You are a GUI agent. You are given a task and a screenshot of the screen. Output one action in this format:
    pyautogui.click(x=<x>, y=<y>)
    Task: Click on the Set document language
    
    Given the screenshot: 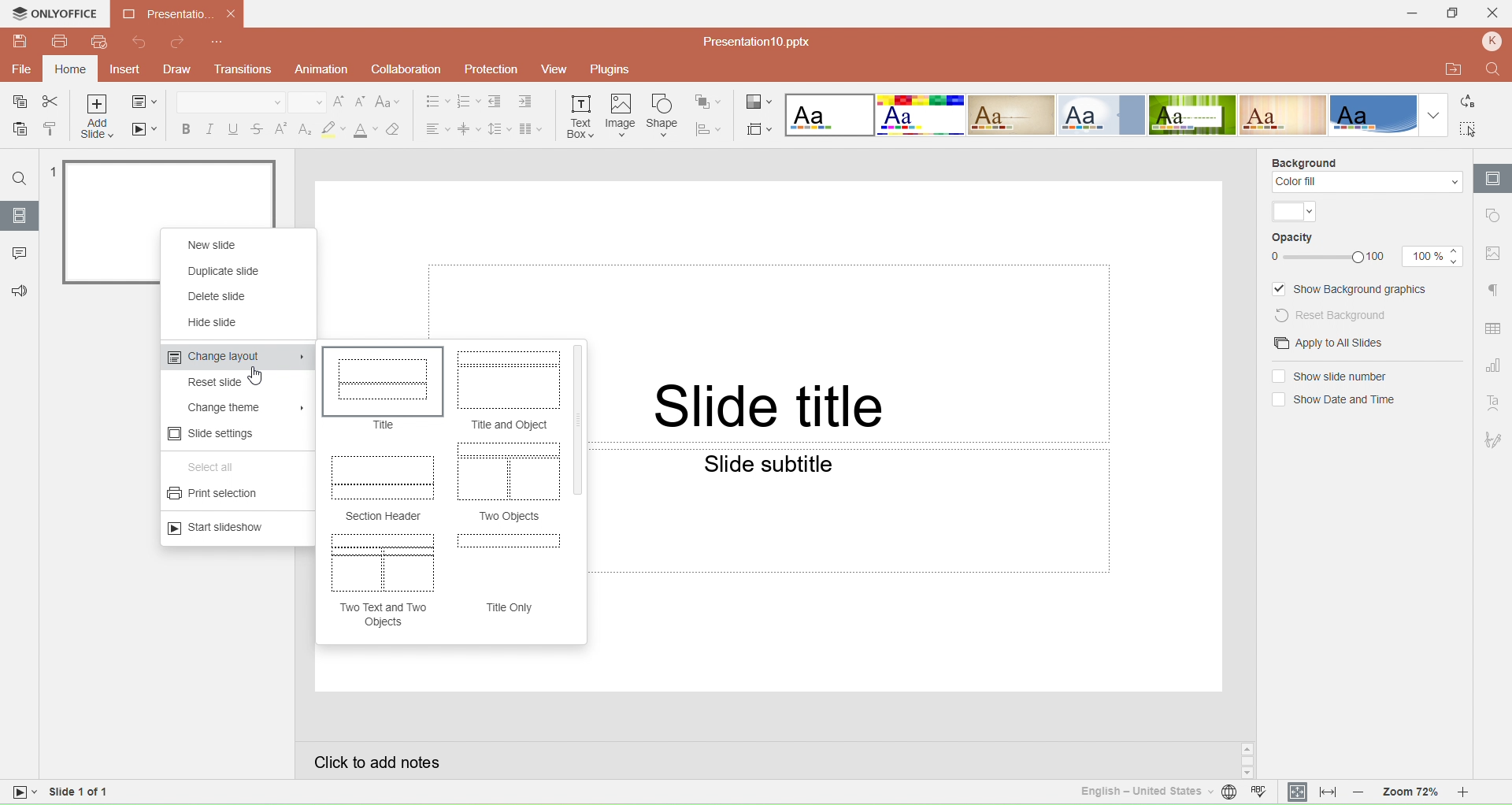 What is the action you would take?
    pyautogui.click(x=1228, y=794)
    